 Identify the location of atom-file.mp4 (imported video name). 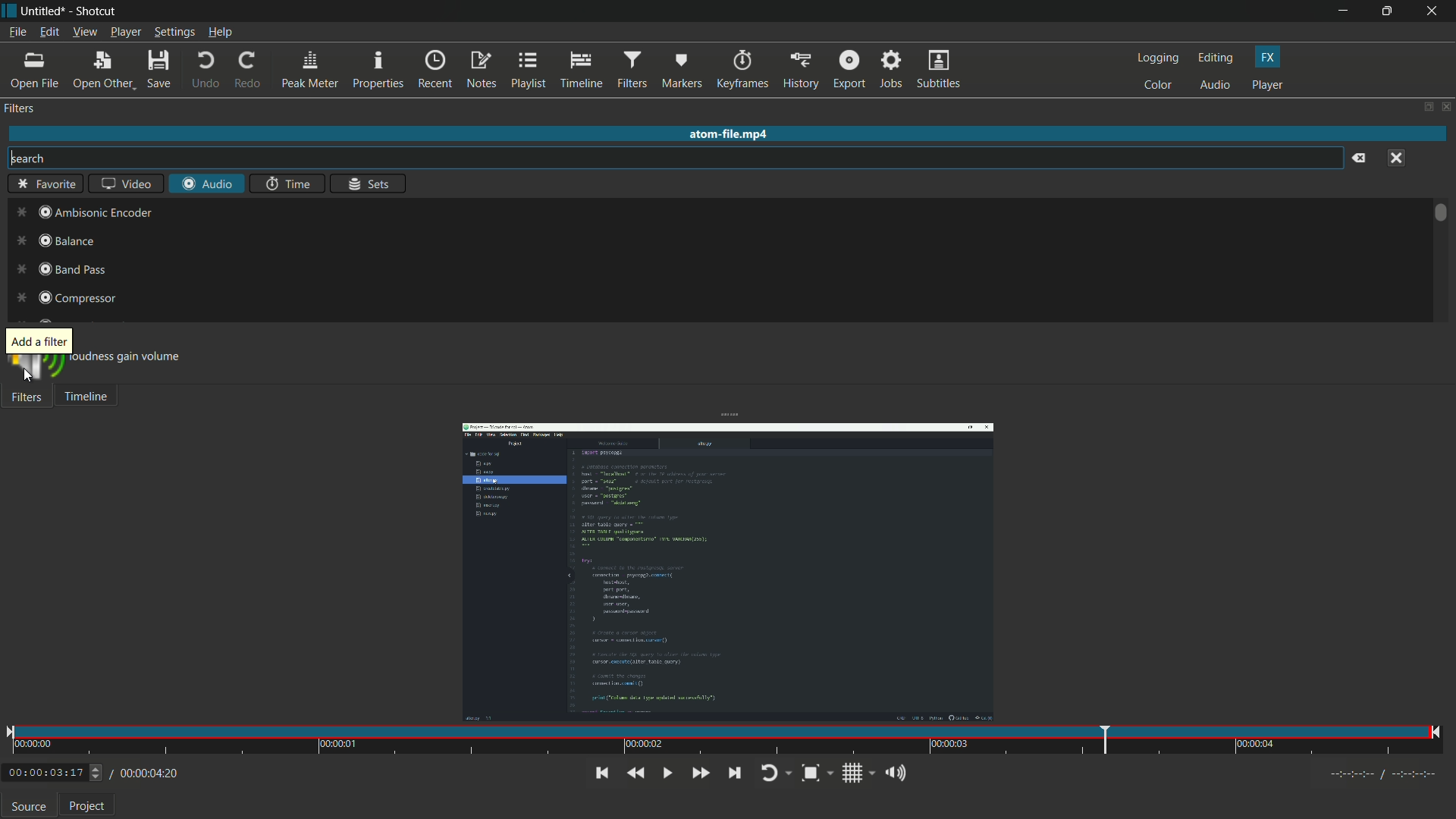
(732, 135).